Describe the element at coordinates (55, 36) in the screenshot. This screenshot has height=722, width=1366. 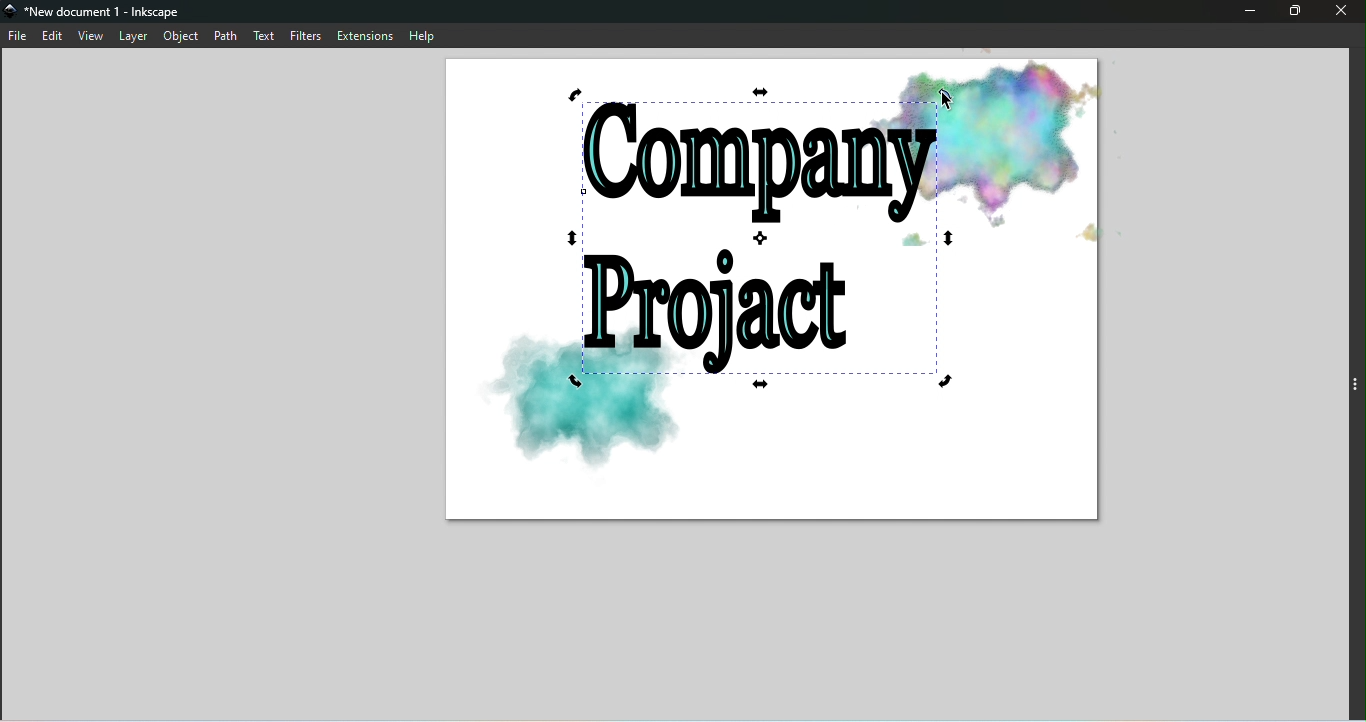
I see `Edit` at that location.